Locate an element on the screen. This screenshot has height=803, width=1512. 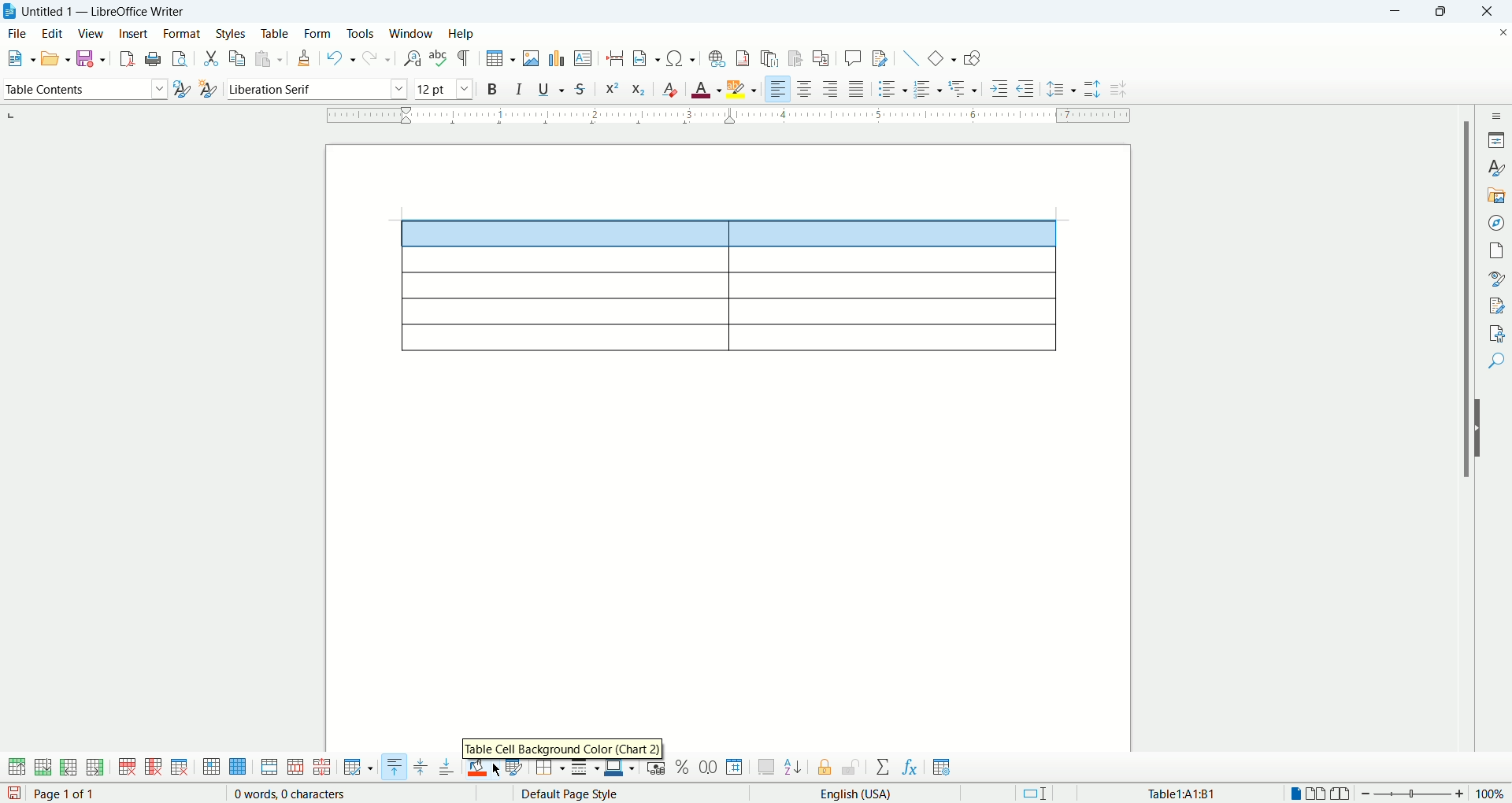
page is located at coordinates (1496, 250).